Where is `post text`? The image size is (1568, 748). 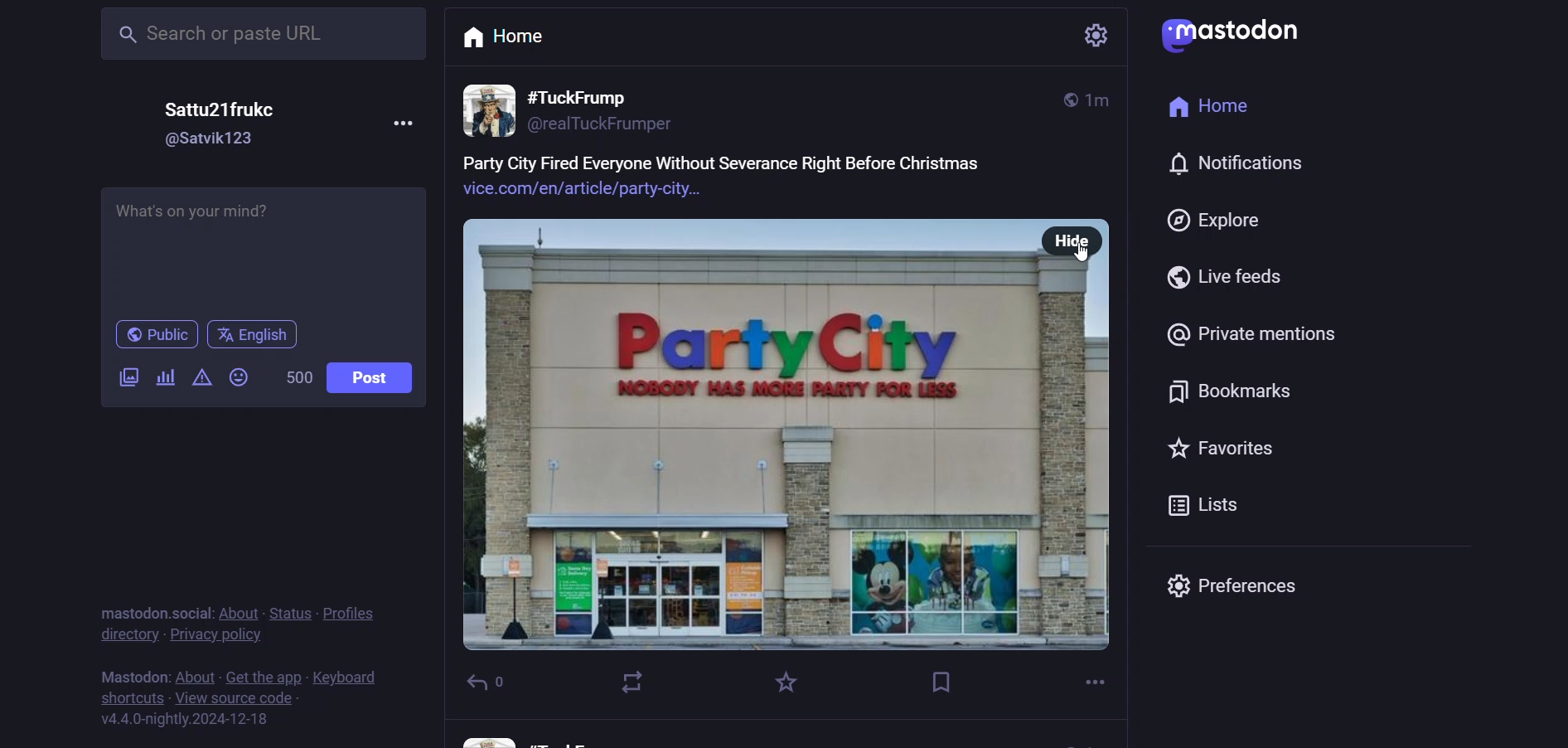 post text is located at coordinates (730, 178).